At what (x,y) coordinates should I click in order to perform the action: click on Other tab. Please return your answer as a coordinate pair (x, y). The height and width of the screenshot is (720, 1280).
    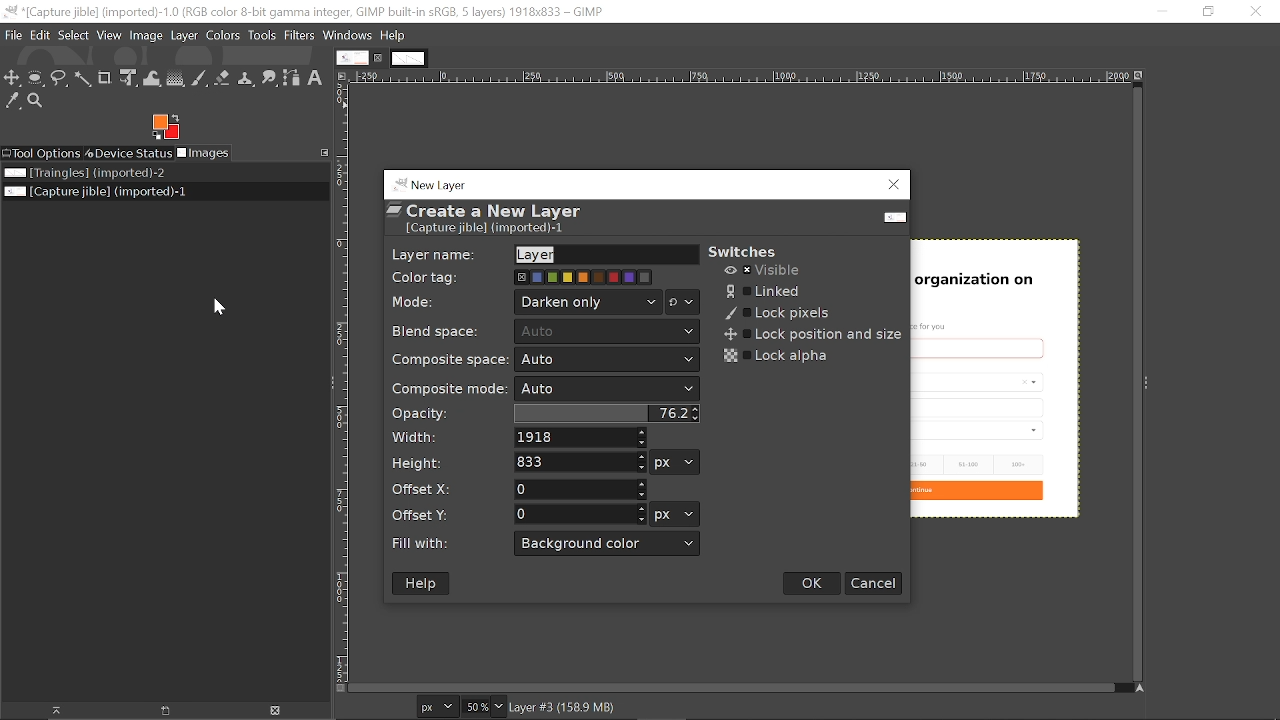
    Looking at the image, I should click on (408, 59).